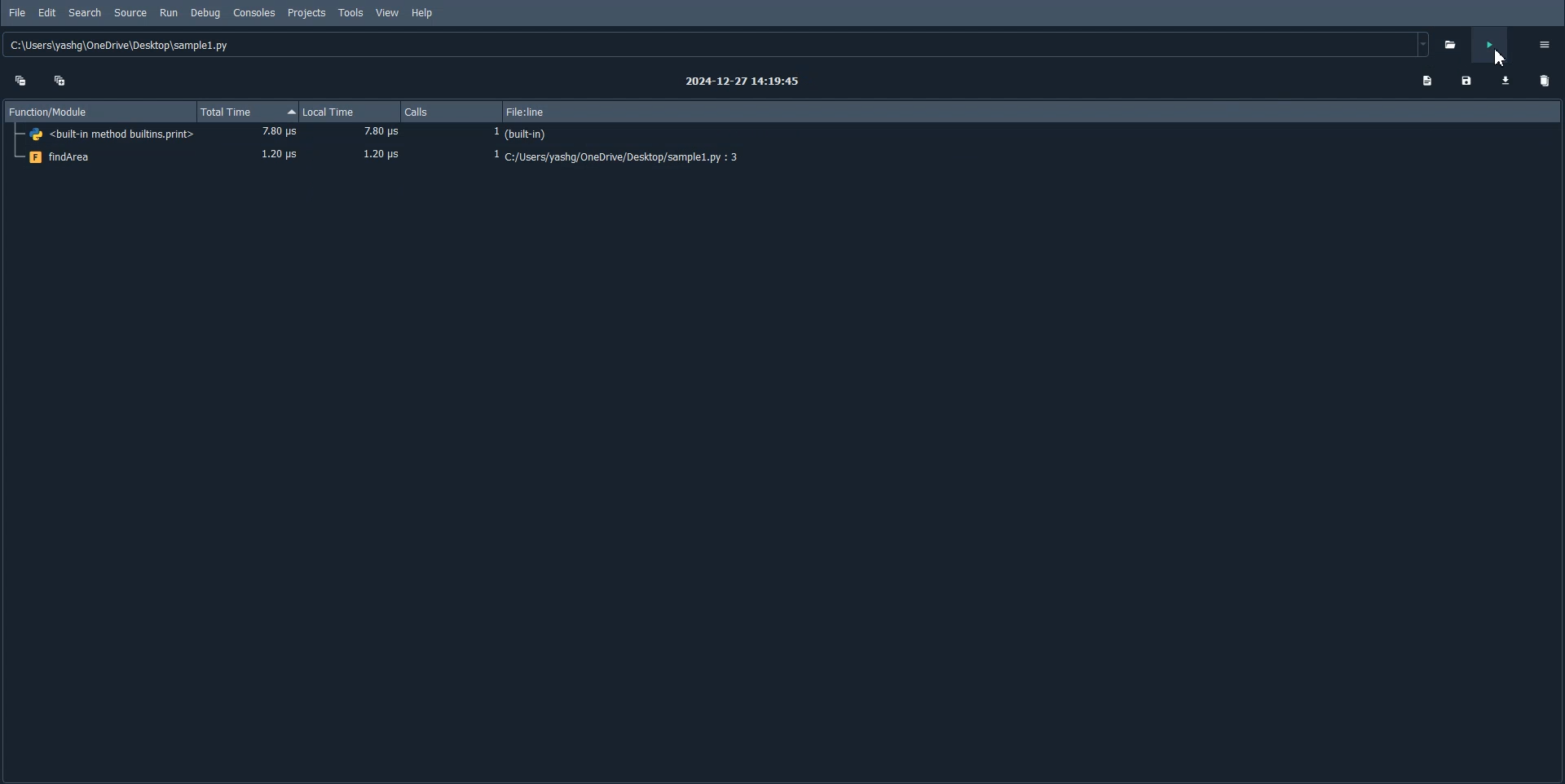 Image resolution: width=1565 pixels, height=784 pixels. What do you see at coordinates (1035, 111) in the screenshot?
I see `File Line` at bounding box center [1035, 111].